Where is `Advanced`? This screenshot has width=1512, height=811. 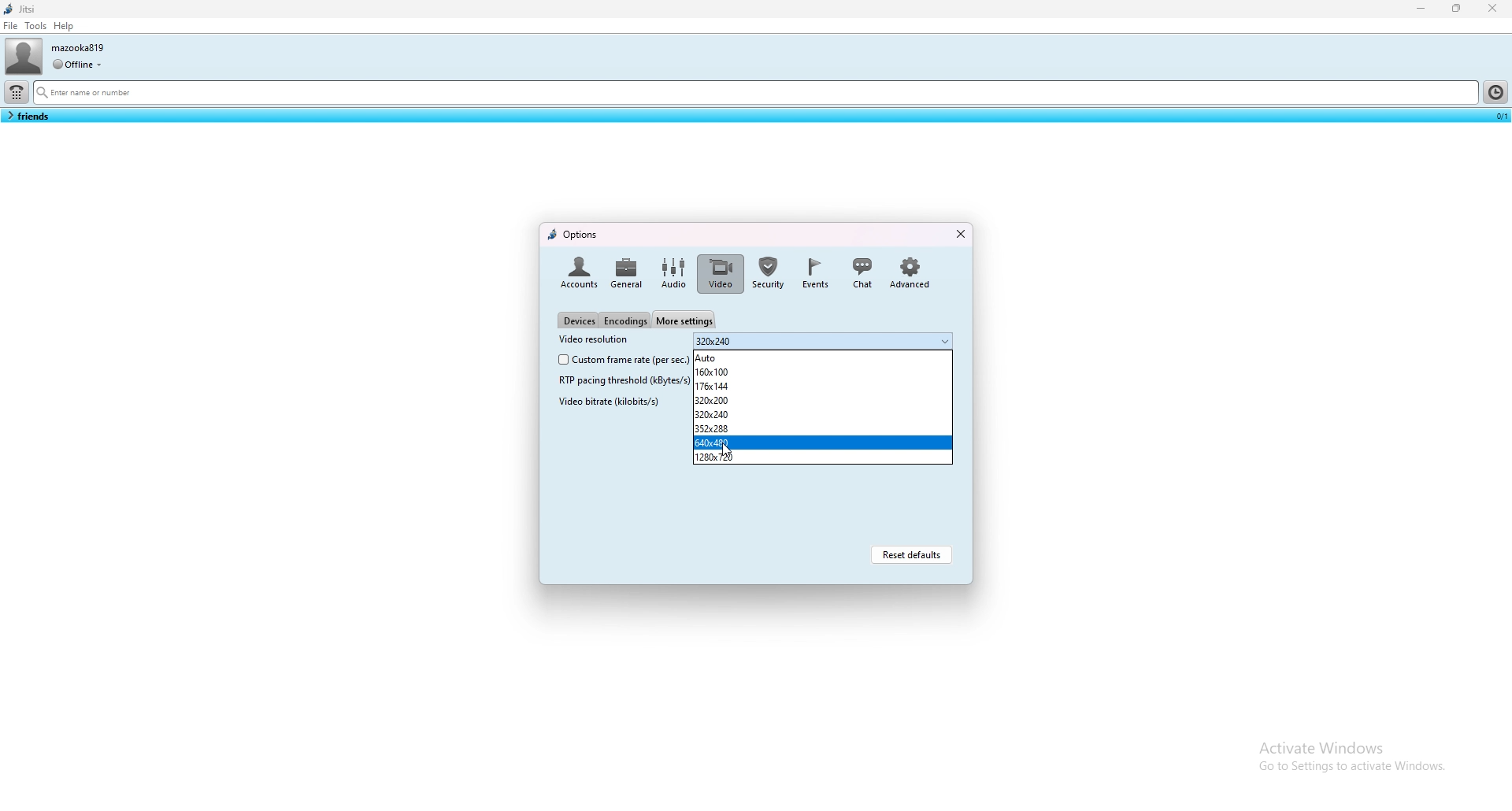 Advanced is located at coordinates (910, 271).